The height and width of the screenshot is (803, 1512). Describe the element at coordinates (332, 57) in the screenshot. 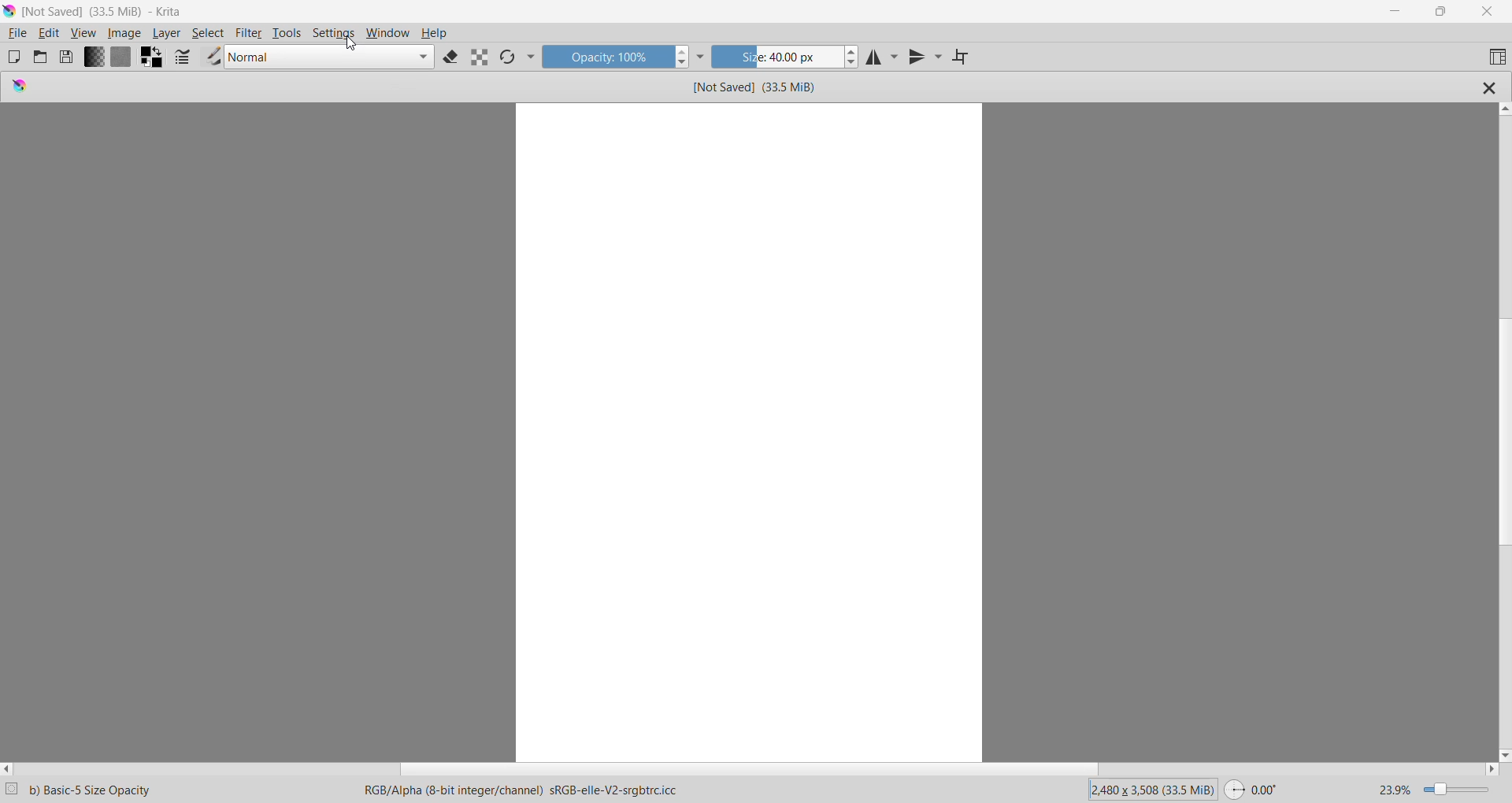

I see `Blending Mode` at that location.